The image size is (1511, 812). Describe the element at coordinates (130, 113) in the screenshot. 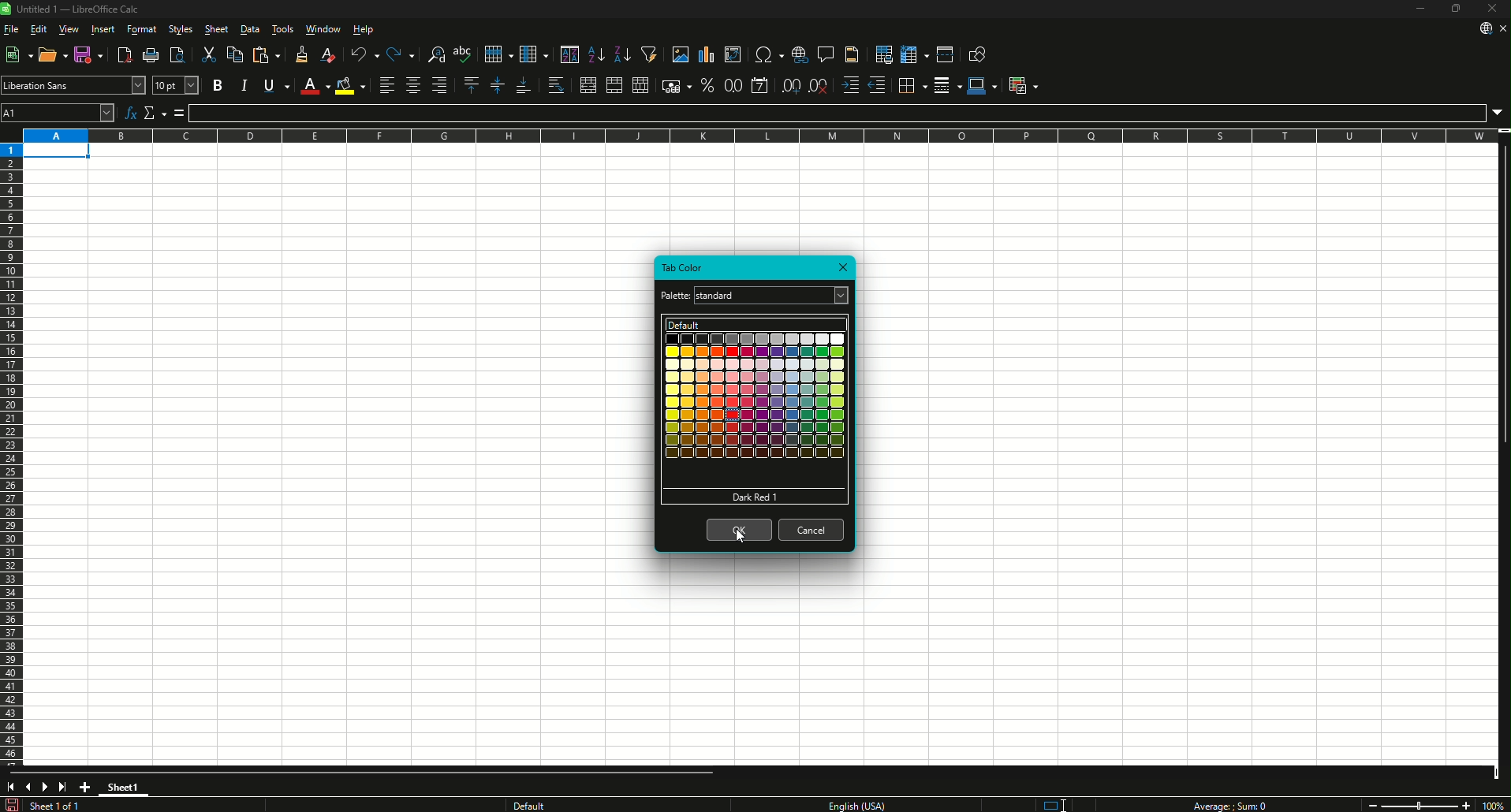

I see `Function Wizard` at that location.